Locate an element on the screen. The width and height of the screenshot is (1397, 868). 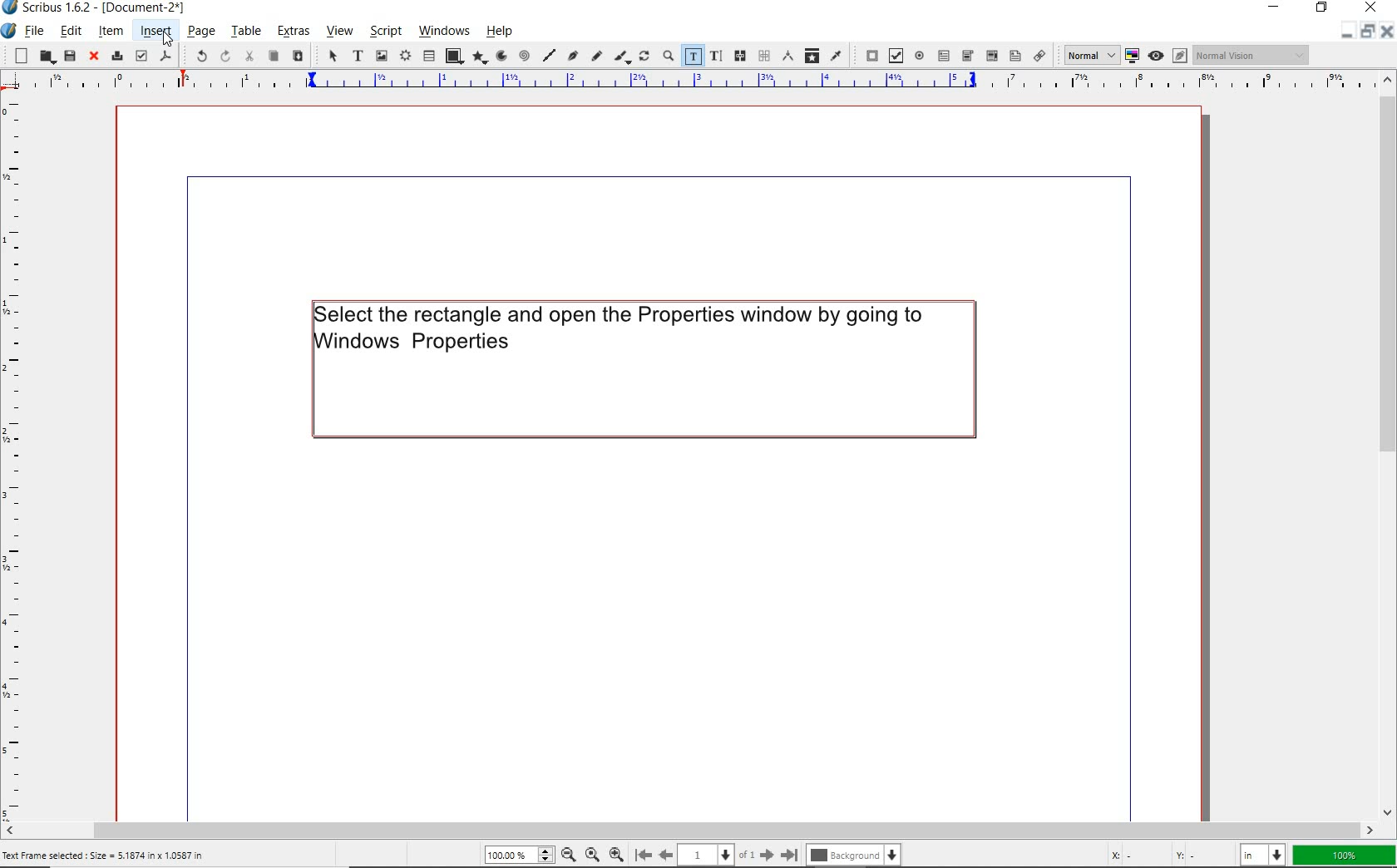
restore is located at coordinates (1366, 34).